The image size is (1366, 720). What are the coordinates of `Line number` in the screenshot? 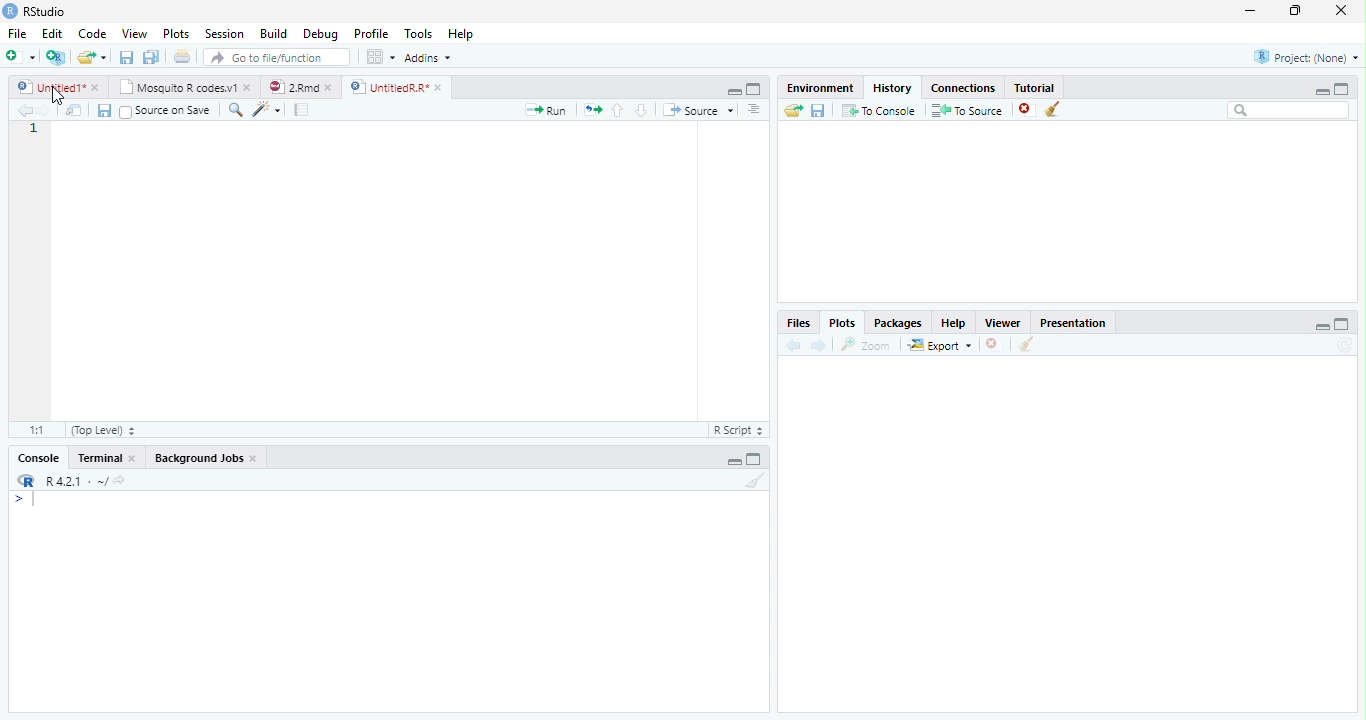 It's located at (35, 130).